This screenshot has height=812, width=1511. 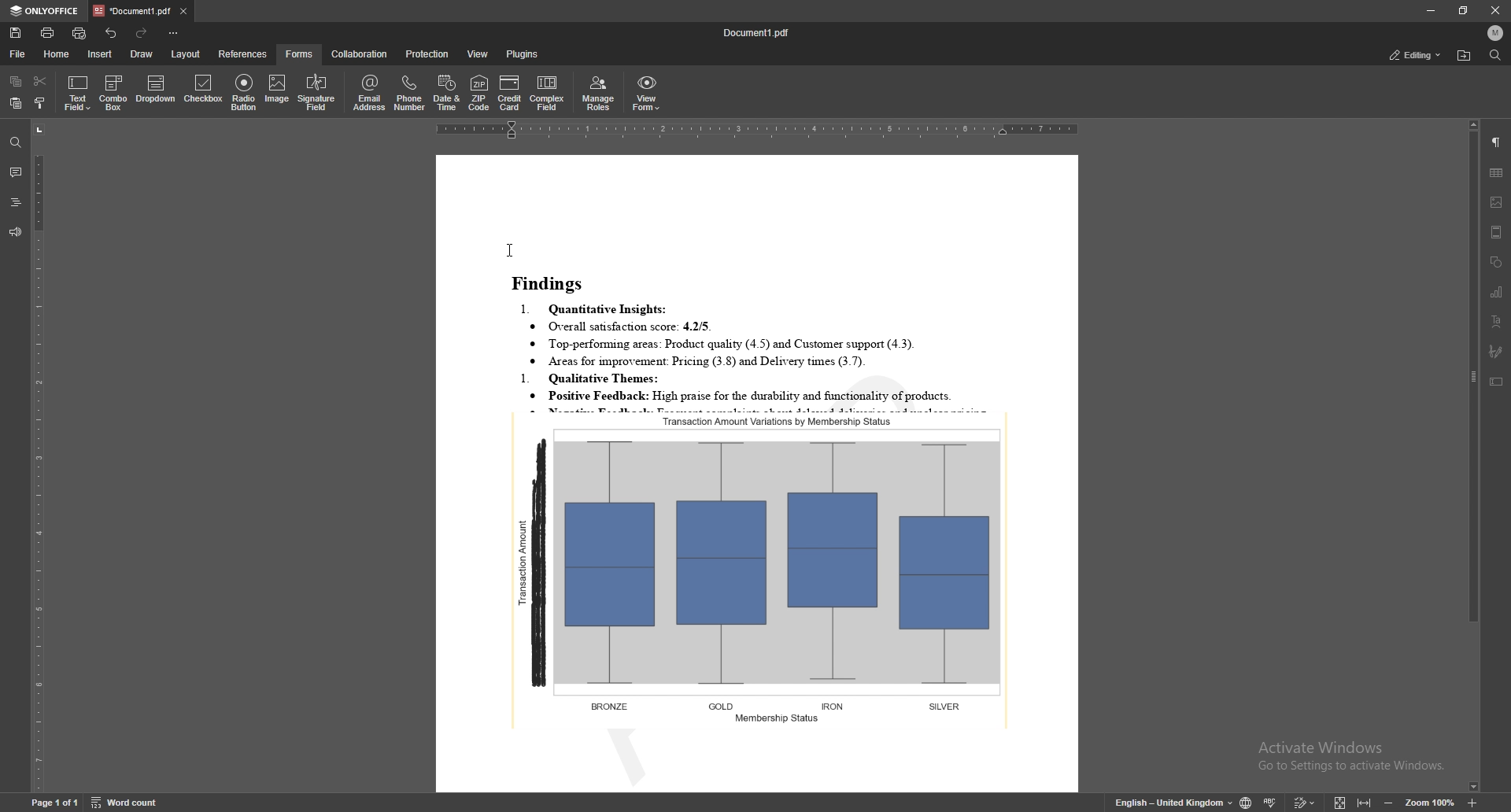 What do you see at coordinates (1496, 202) in the screenshot?
I see `image` at bounding box center [1496, 202].